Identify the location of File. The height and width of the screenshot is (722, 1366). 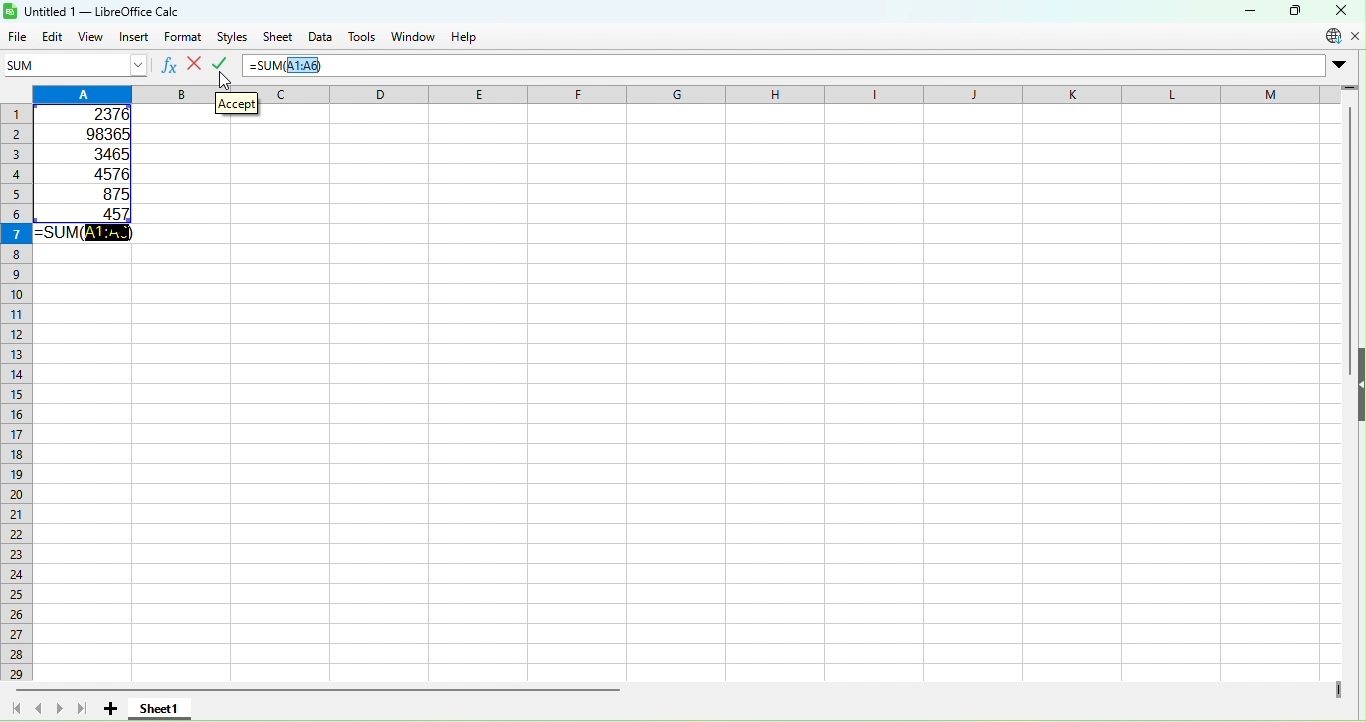
(18, 38).